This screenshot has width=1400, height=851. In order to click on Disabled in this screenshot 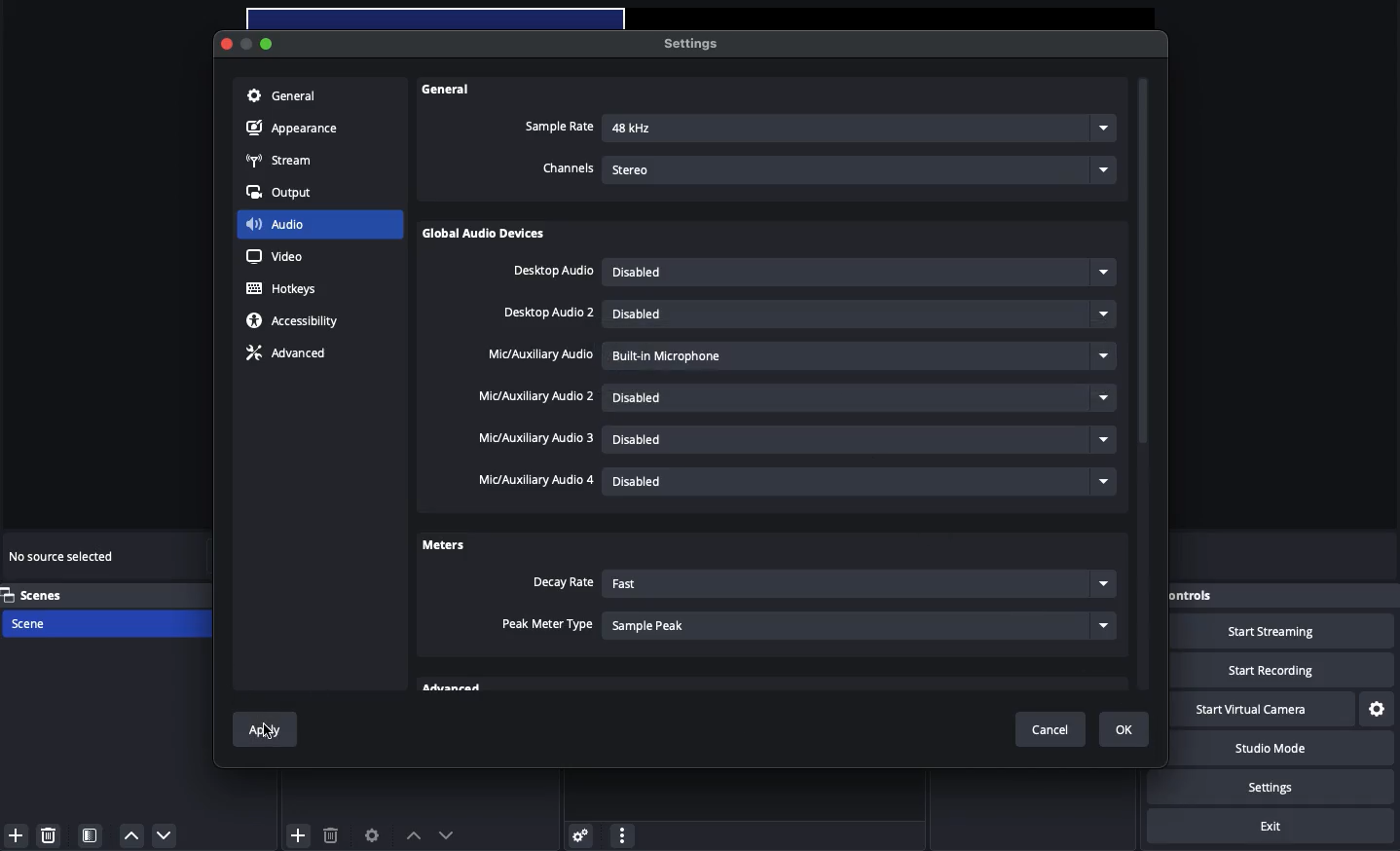, I will do `click(858, 273)`.